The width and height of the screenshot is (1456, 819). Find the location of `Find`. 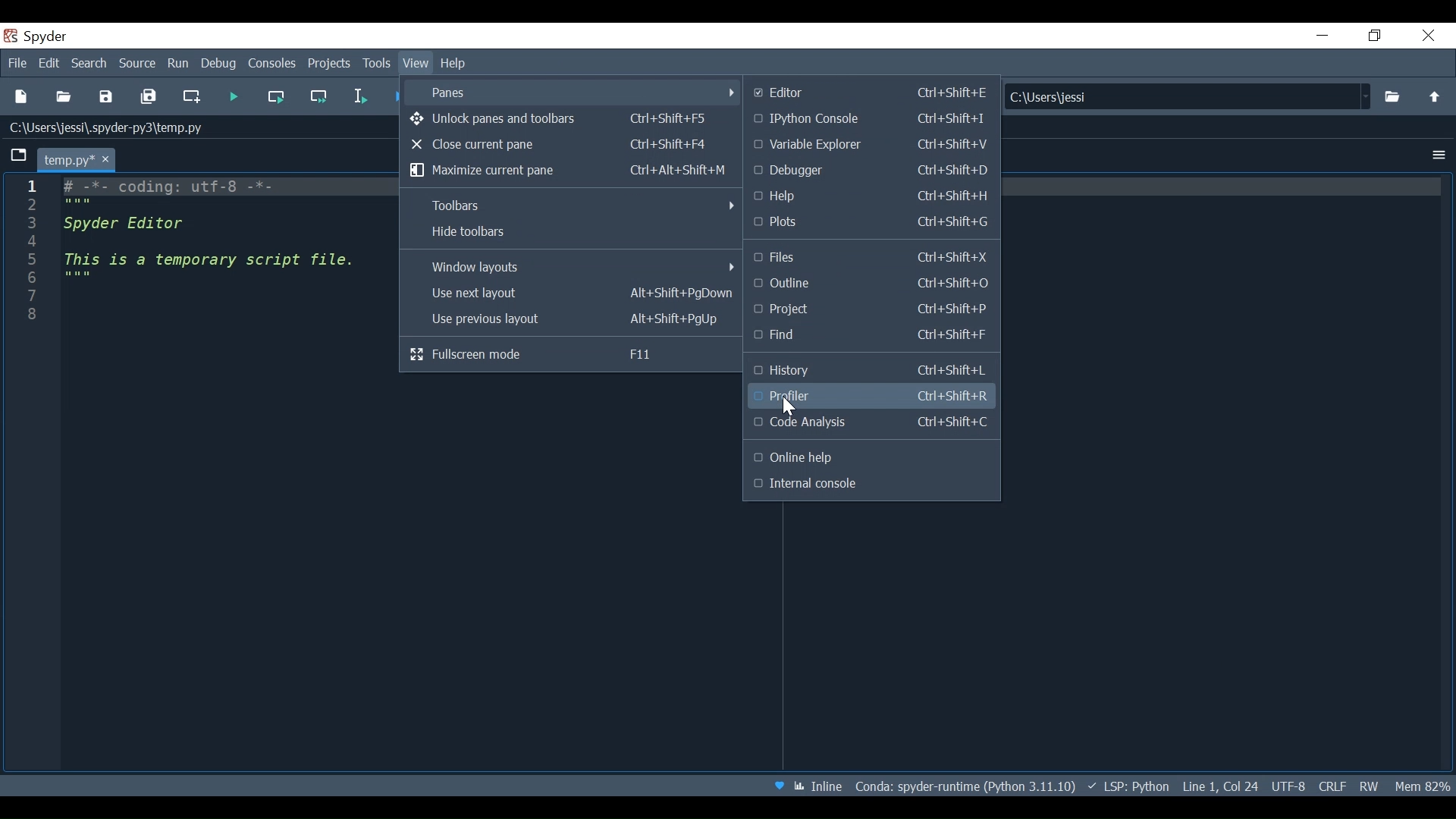

Find is located at coordinates (871, 335).